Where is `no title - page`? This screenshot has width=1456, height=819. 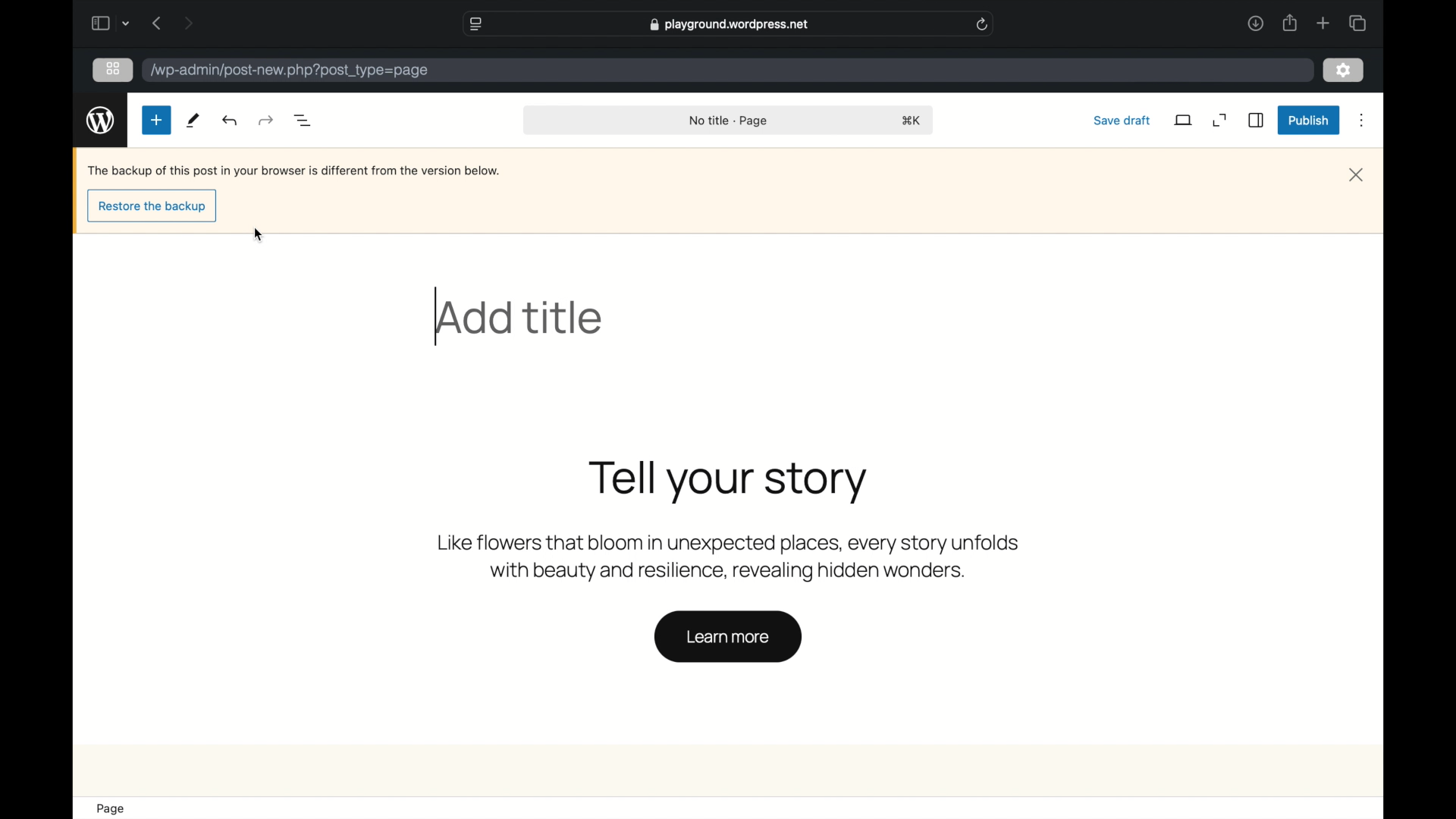 no title - page is located at coordinates (730, 121).